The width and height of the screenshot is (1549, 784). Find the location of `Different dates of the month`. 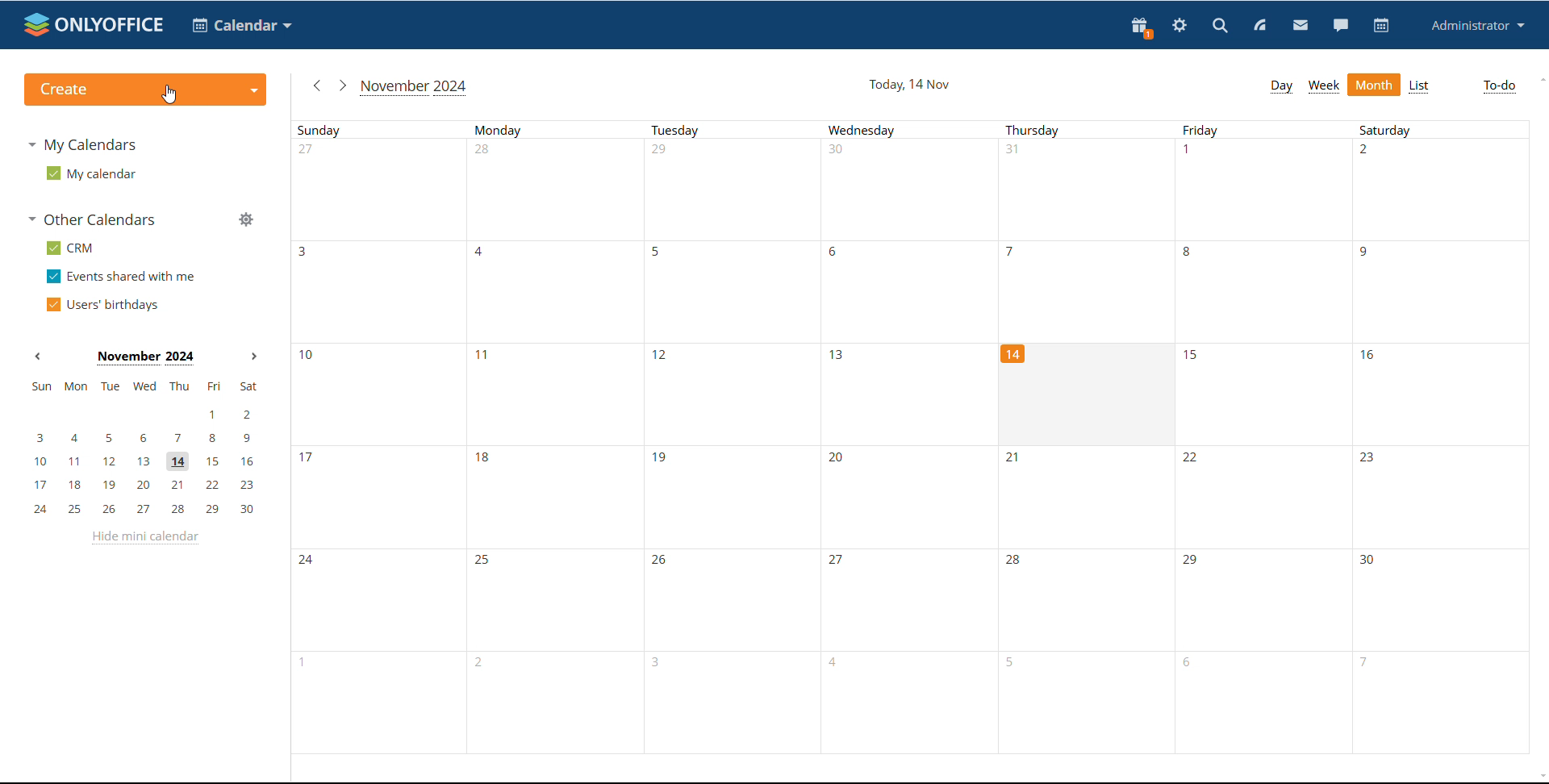

Different dates of the month is located at coordinates (645, 394).